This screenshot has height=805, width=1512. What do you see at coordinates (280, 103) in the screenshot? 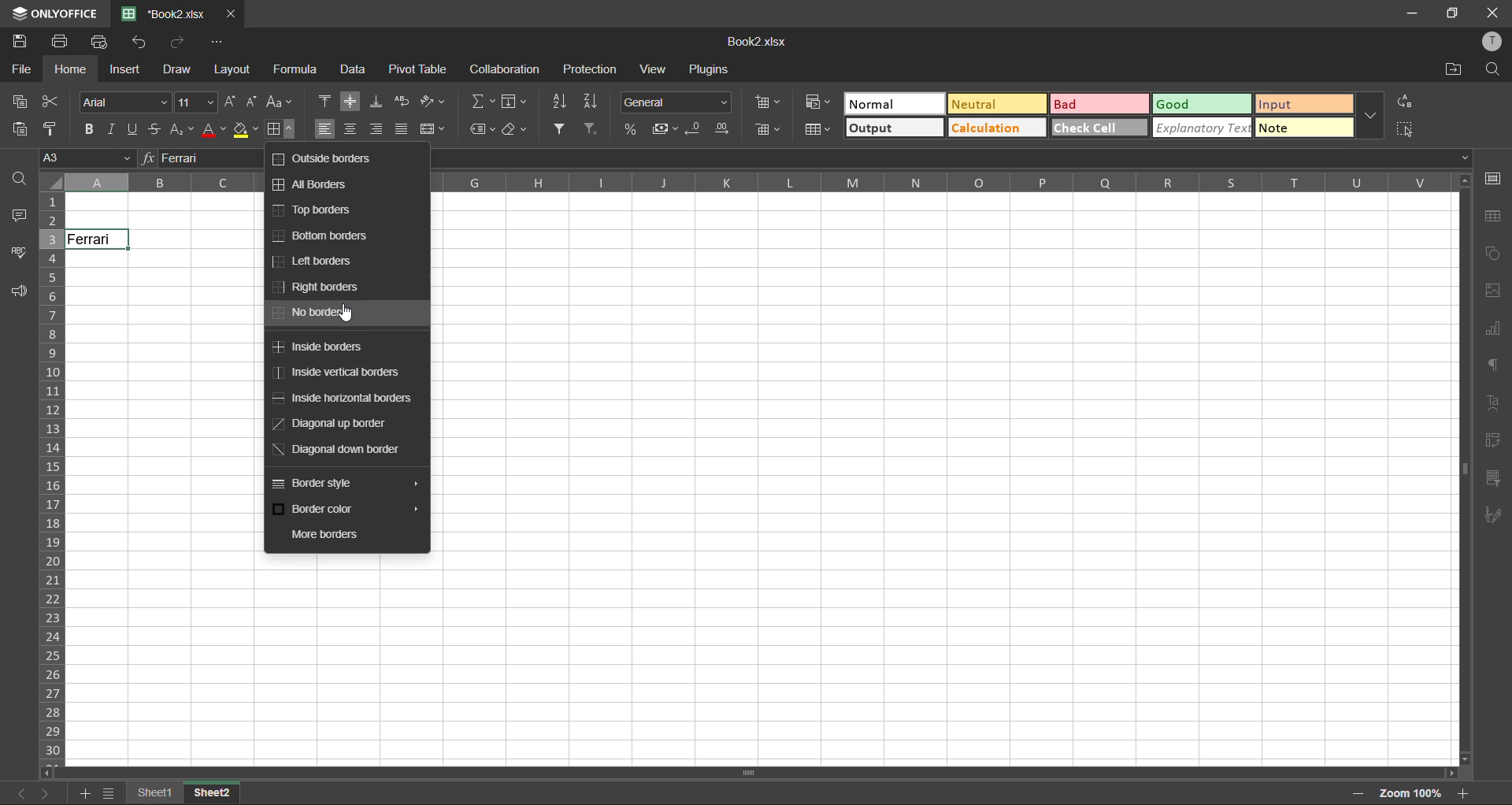
I see `change case` at bounding box center [280, 103].